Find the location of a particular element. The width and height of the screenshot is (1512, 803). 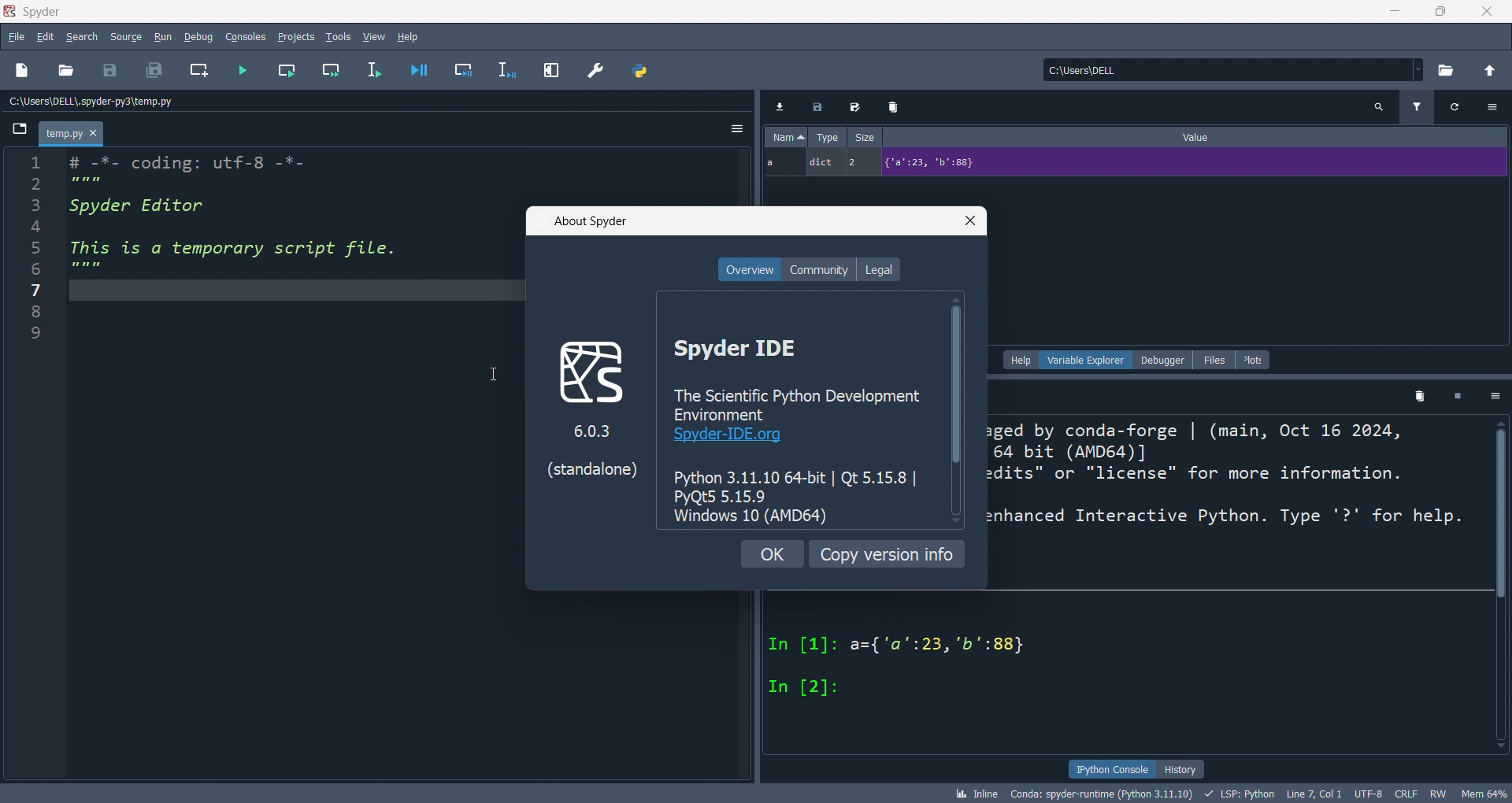

Cursor is located at coordinates (495, 372).